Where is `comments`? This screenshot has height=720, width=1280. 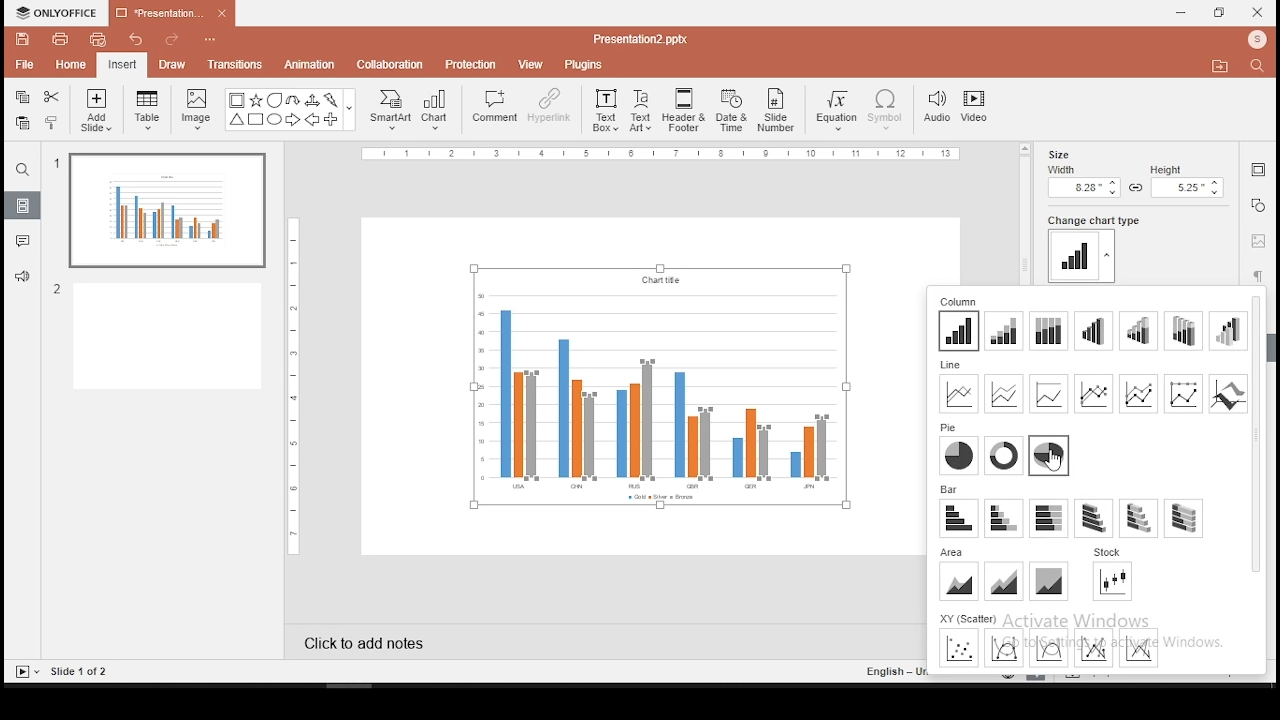
comments is located at coordinates (24, 244).